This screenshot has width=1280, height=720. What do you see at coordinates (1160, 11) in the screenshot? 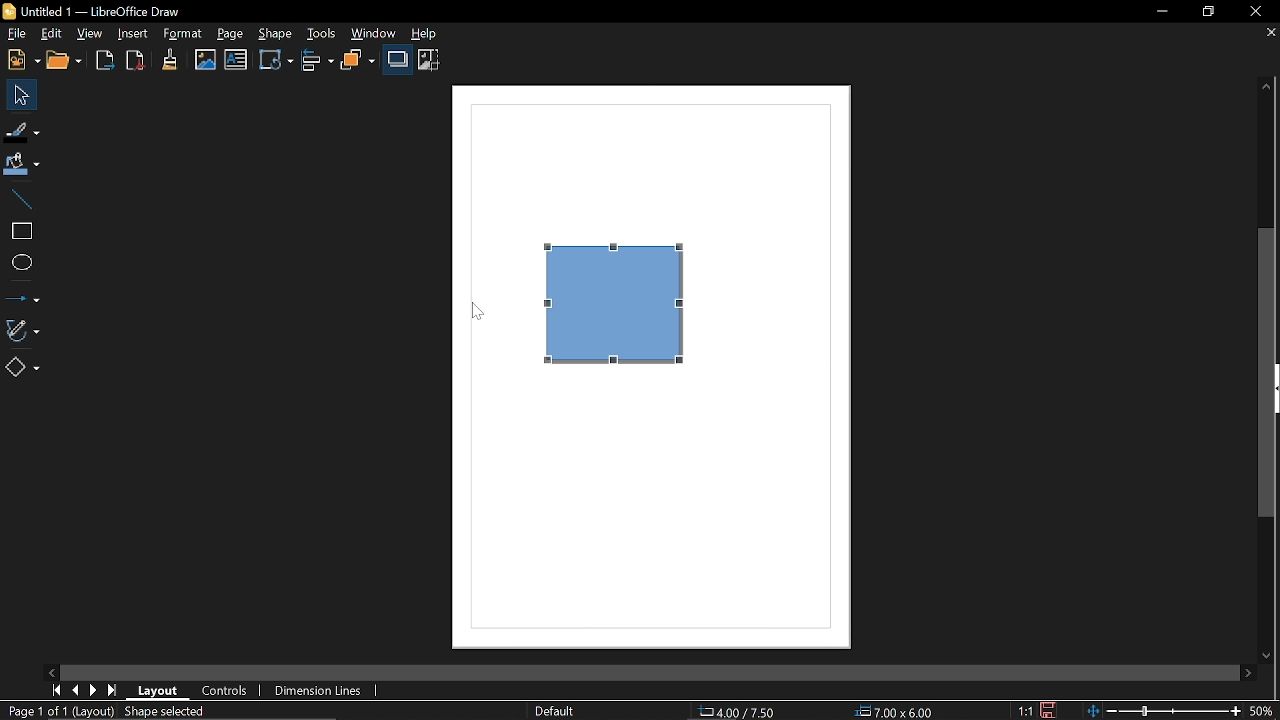
I see `Minimize` at bounding box center [1160, 11].